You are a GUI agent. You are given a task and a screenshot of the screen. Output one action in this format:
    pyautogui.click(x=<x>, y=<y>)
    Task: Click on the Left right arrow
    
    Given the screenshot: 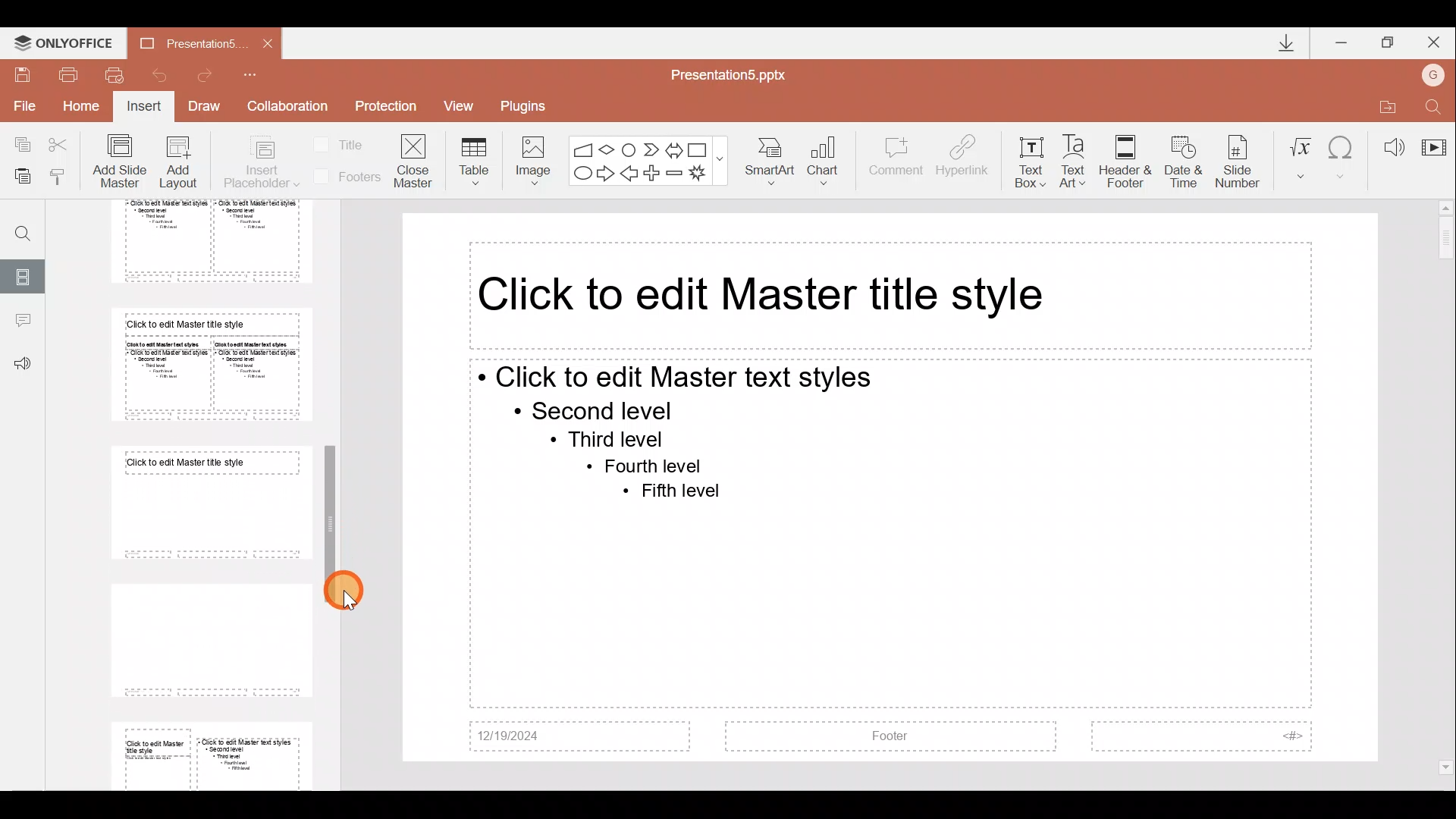 What is the action you would take?
    pyautogui.click(x=673, y=147)
    